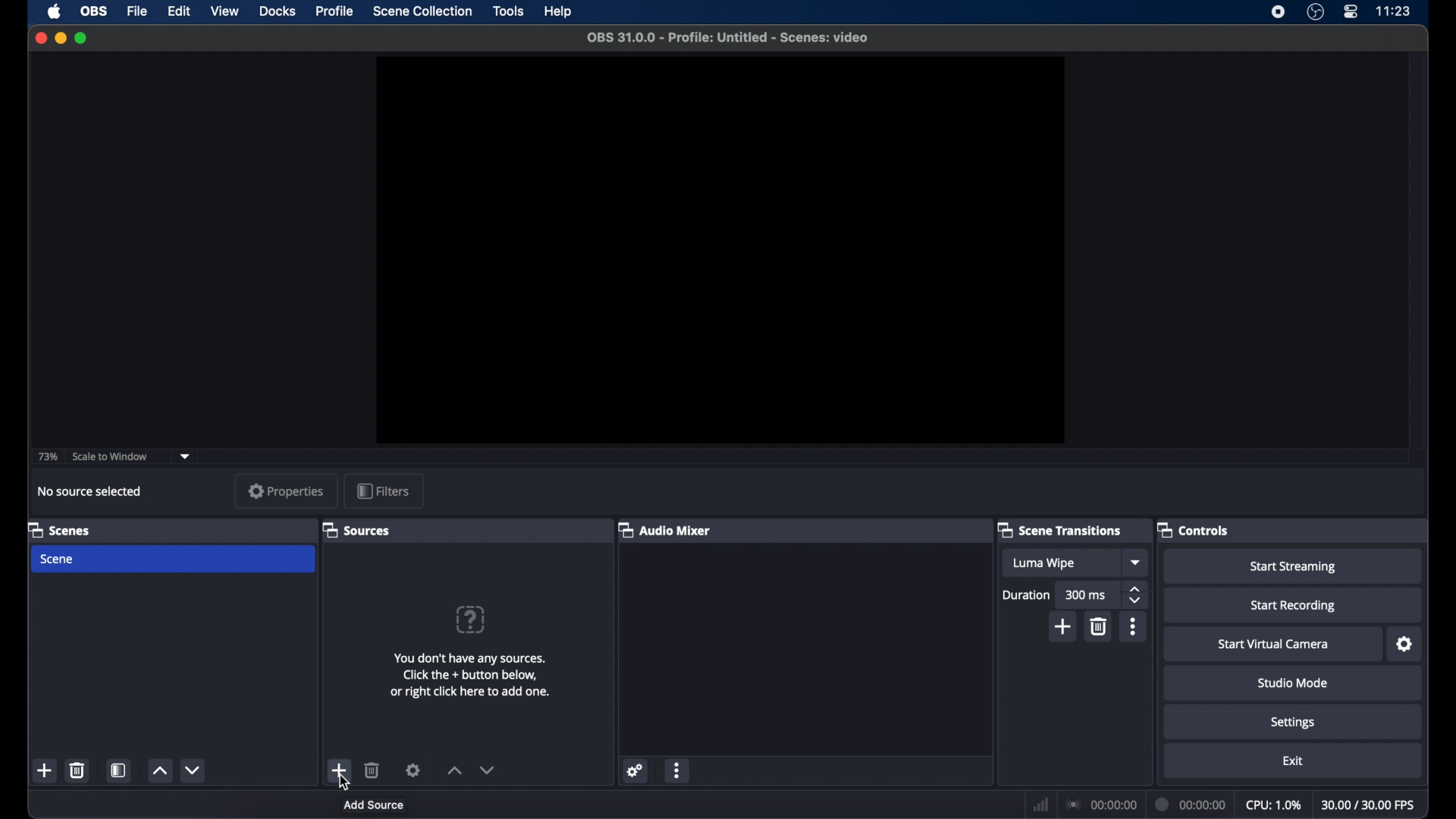  Describe the element at coordinates (96, 11) in the screenshot. I see `obs` at that location.